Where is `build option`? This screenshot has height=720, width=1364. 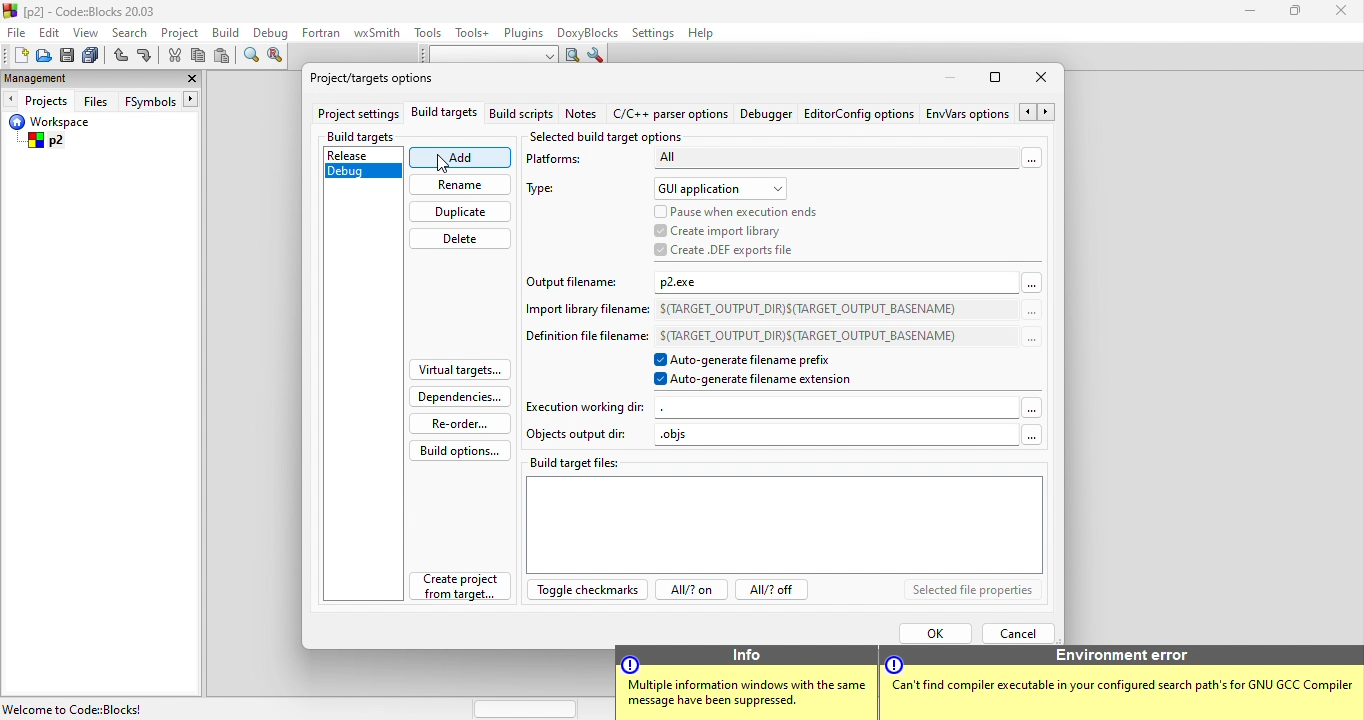
build option is located at coordinates (454, 449).